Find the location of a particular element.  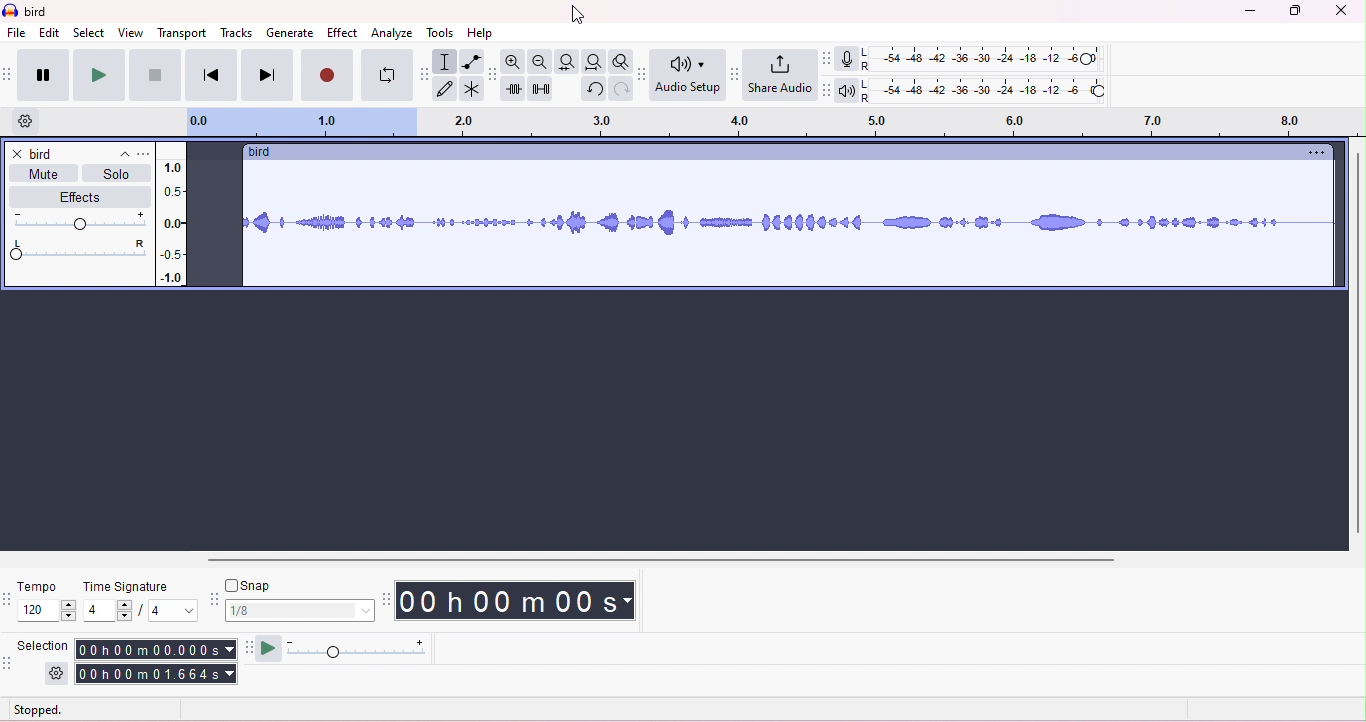

selection is located at coordinates (445, 61).